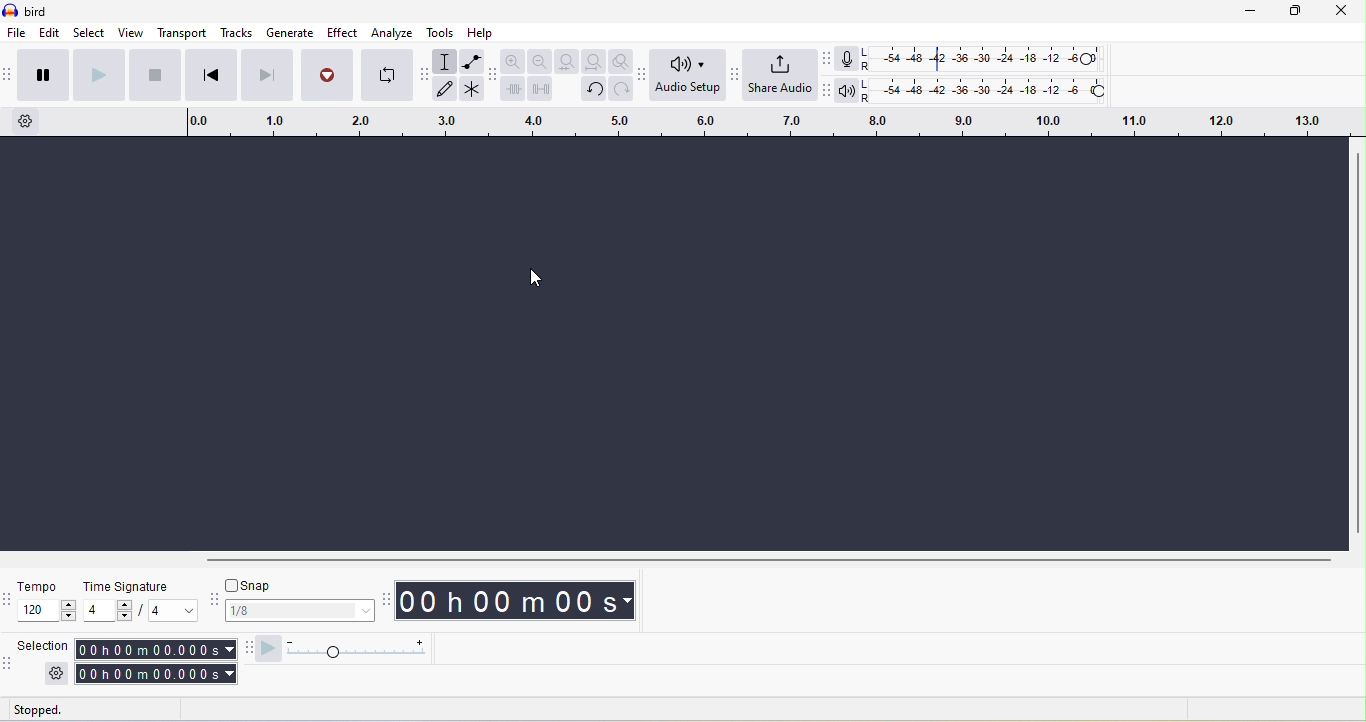  I want to click on cursor, so click(539, 277).